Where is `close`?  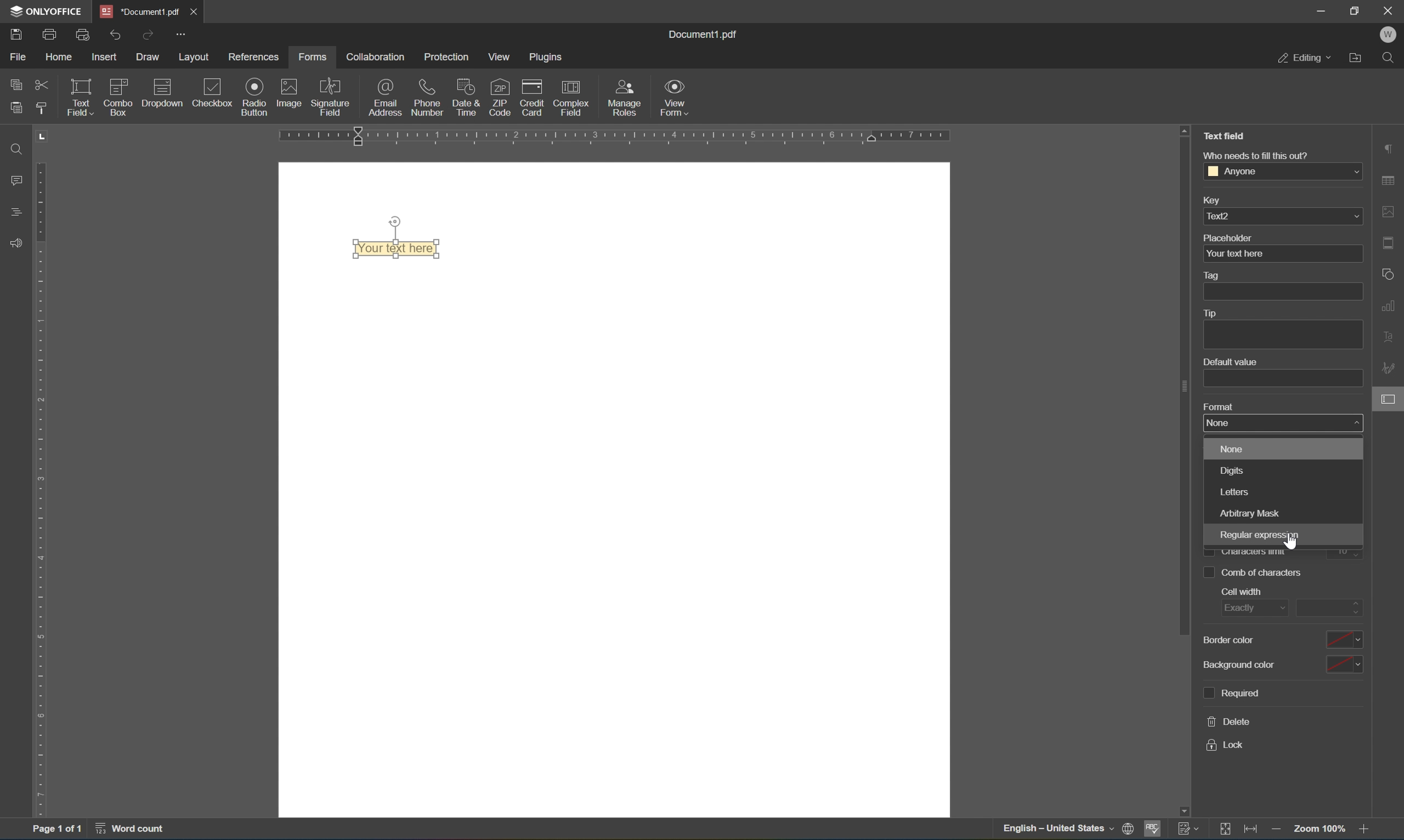
close is located at coordinates (1391, 9).